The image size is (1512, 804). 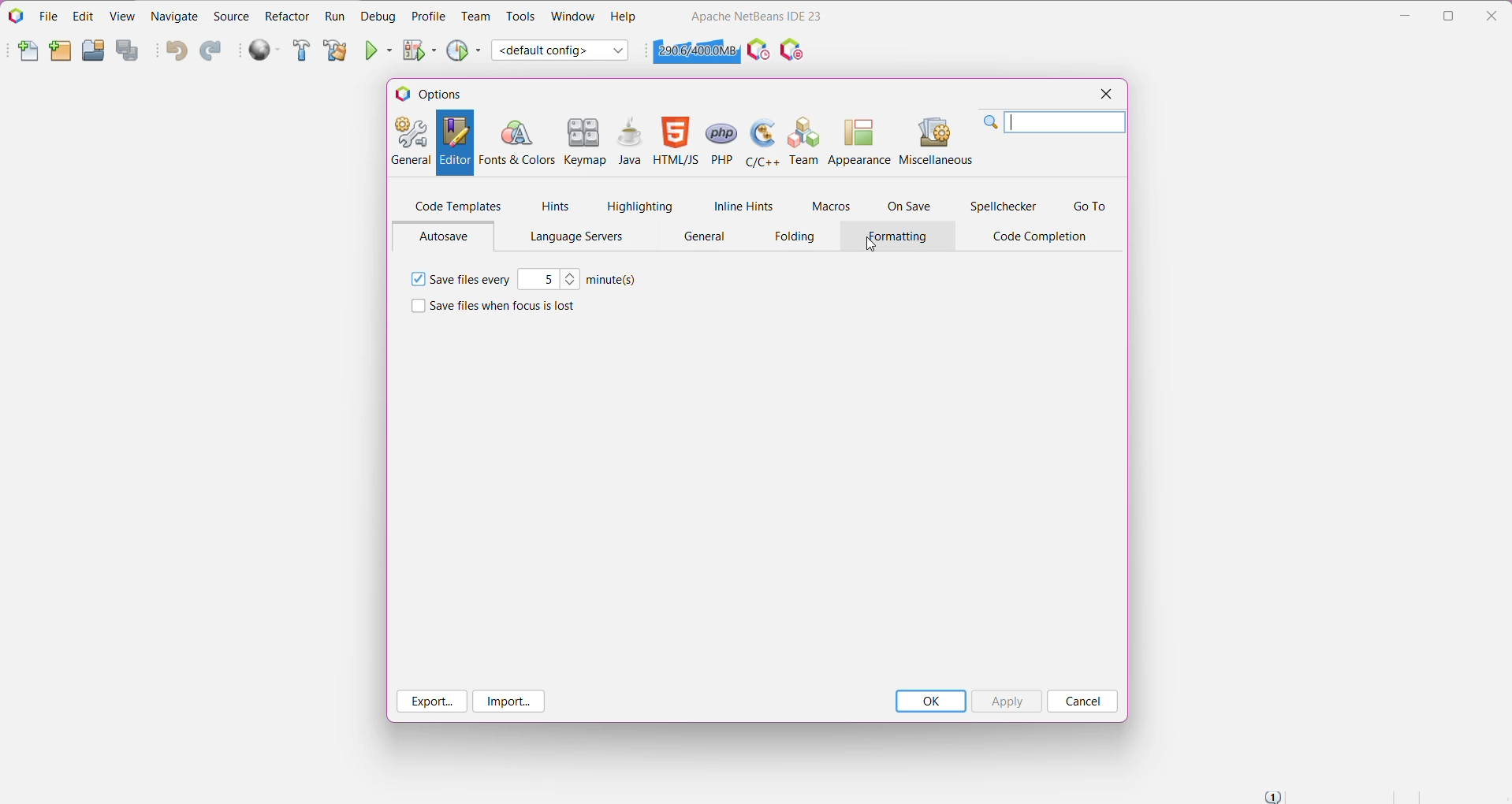 I want to click on Folding, so click(x=796, y=236).